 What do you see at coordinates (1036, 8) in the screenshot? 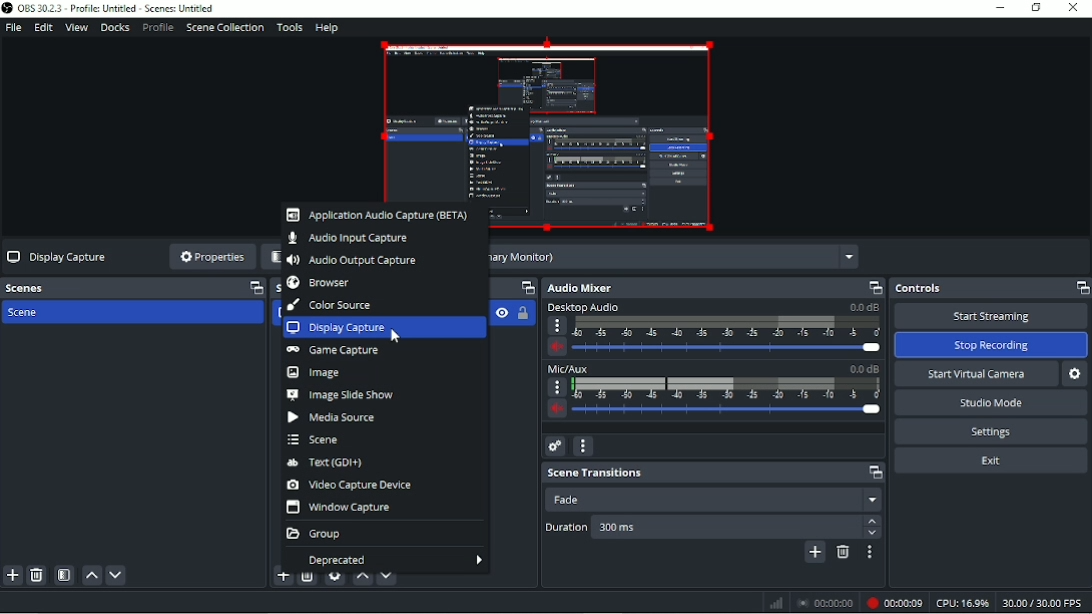
I see `Restore down` at bounding box center [1036, 8].